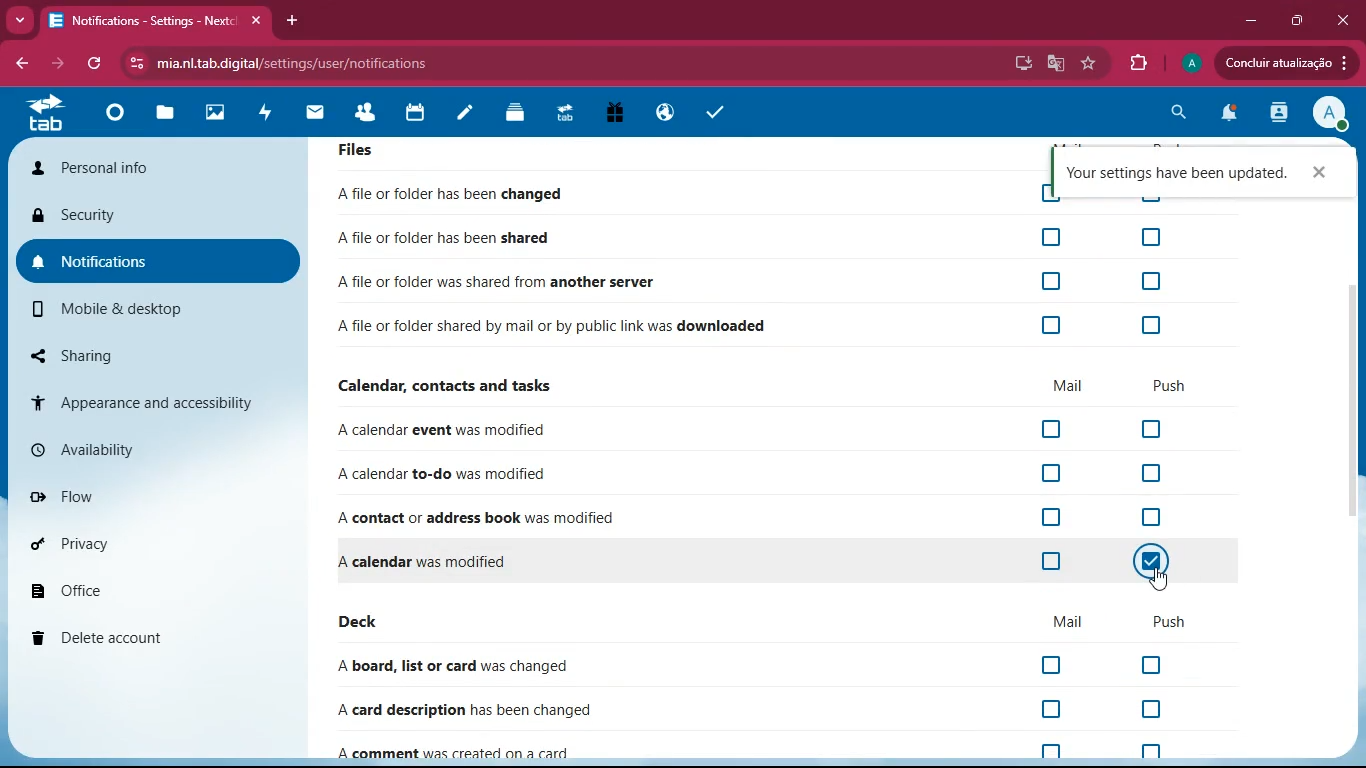 This screenshot has width=1366, height=768. Describe the element at coordinates (136, 546) in the screenshot. I see `privacy` at that location.